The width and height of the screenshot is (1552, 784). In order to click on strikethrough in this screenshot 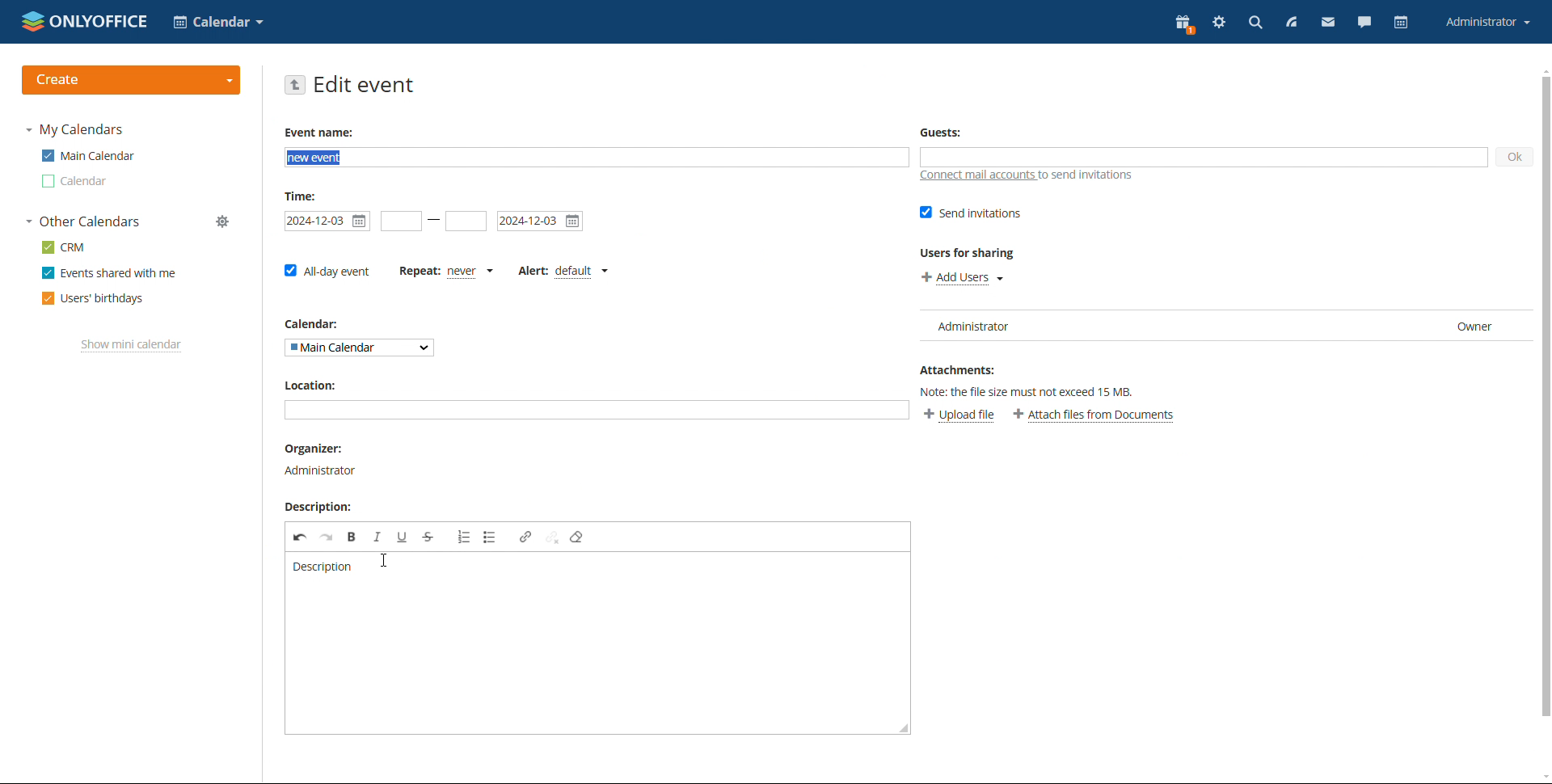, I will do `click(429, 537)`.